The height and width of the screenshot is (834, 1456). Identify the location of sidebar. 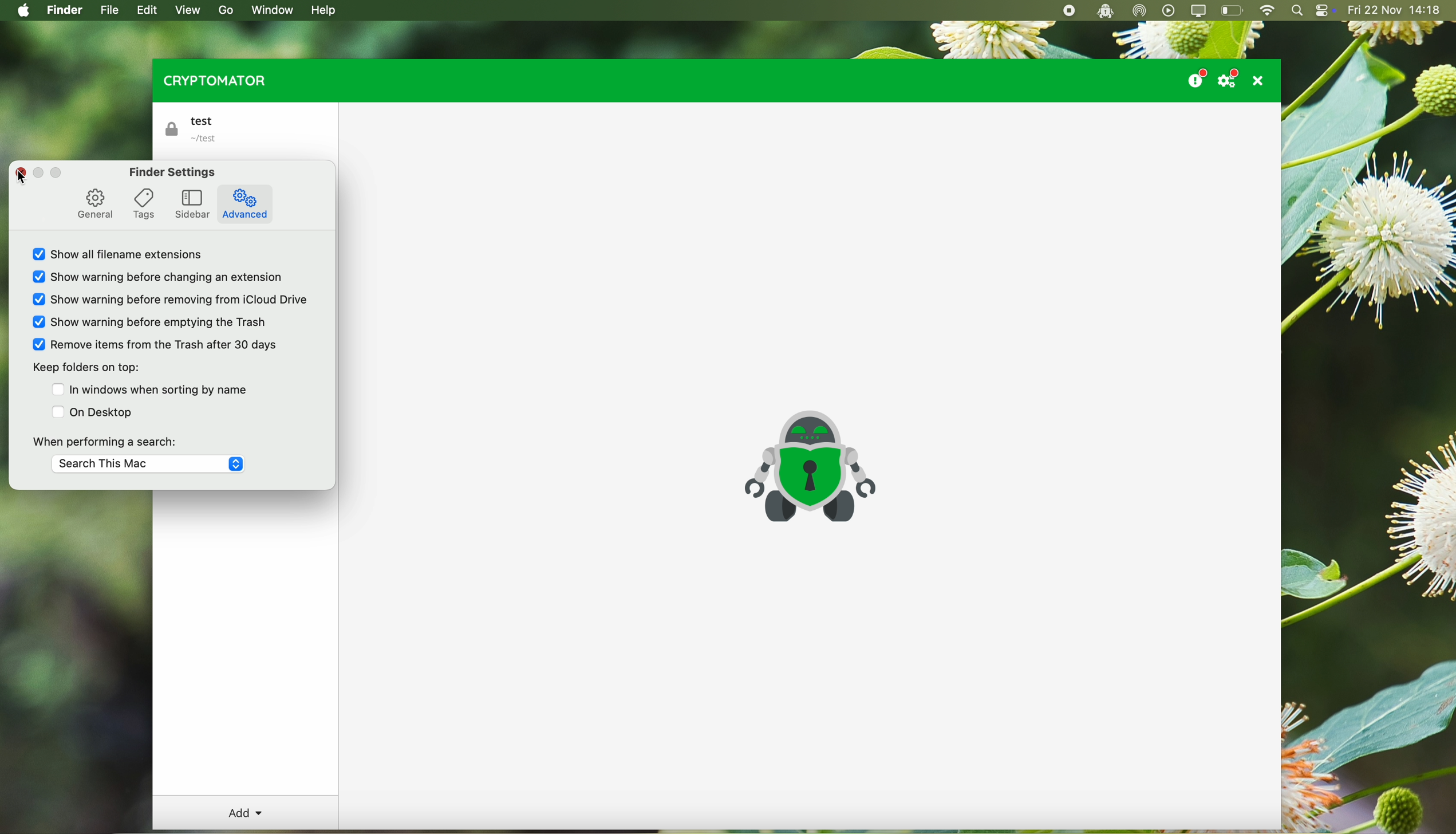
(193, 204).